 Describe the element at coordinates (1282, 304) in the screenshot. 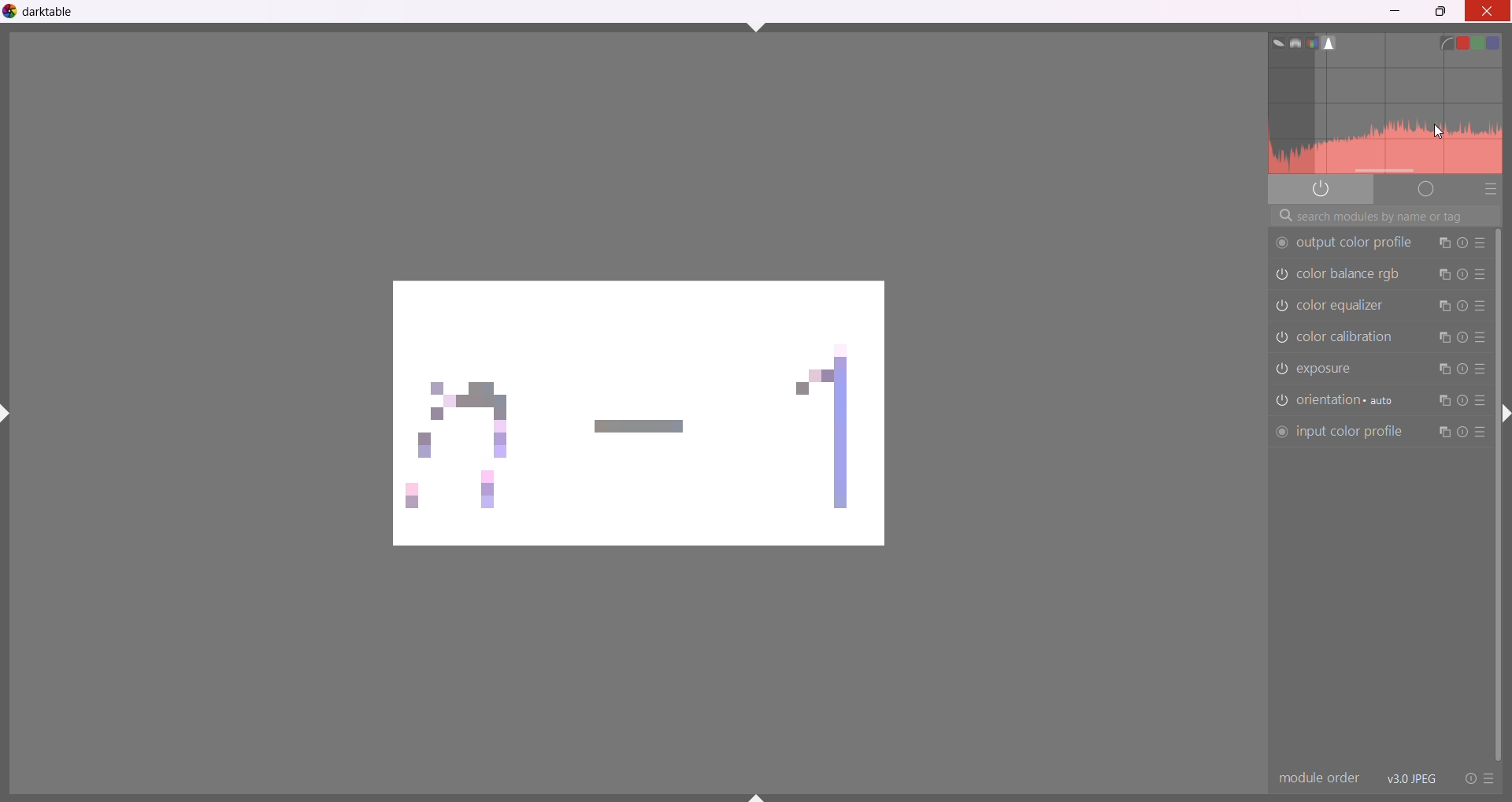

I see `color equalizer switched off` at that location.